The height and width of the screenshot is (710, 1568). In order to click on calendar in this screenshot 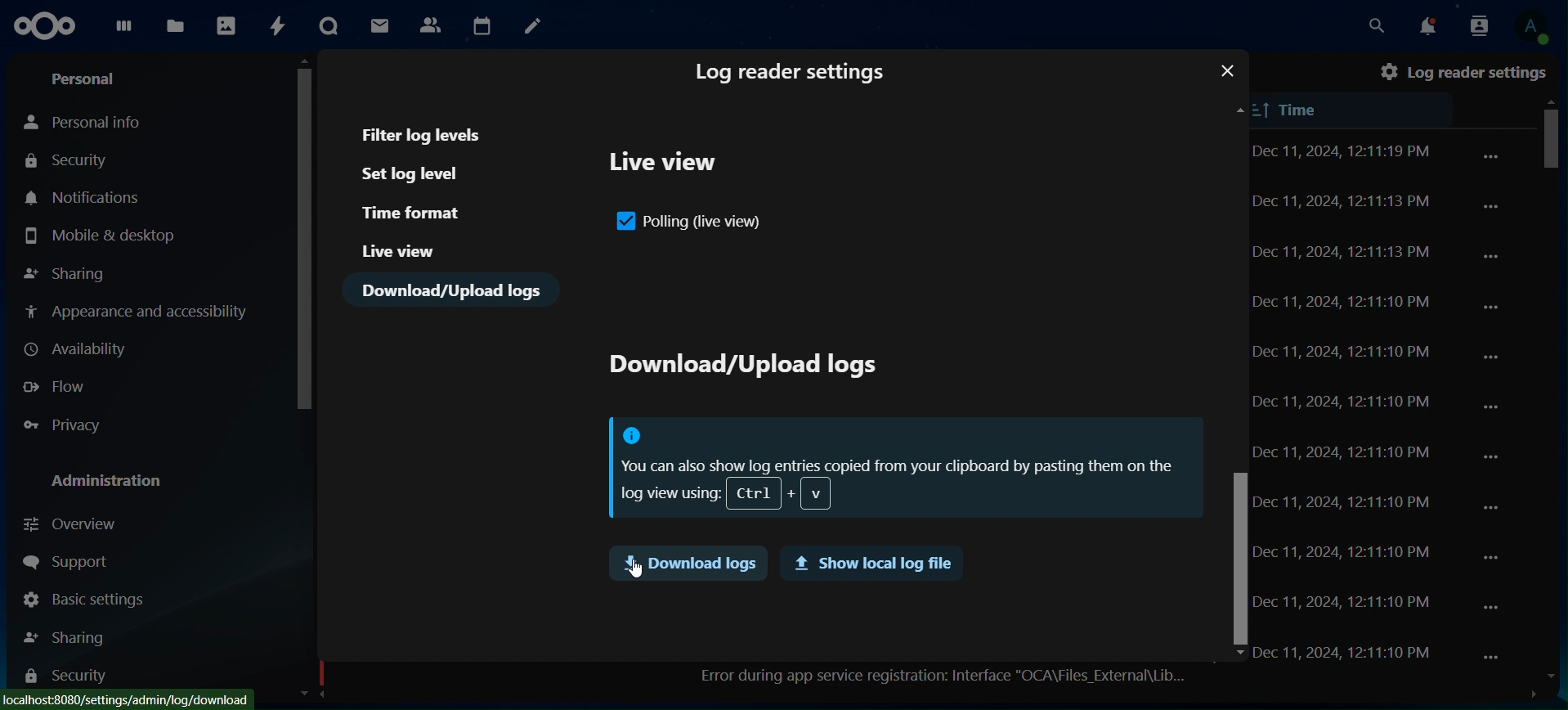, I will do `click(482, 24)`.